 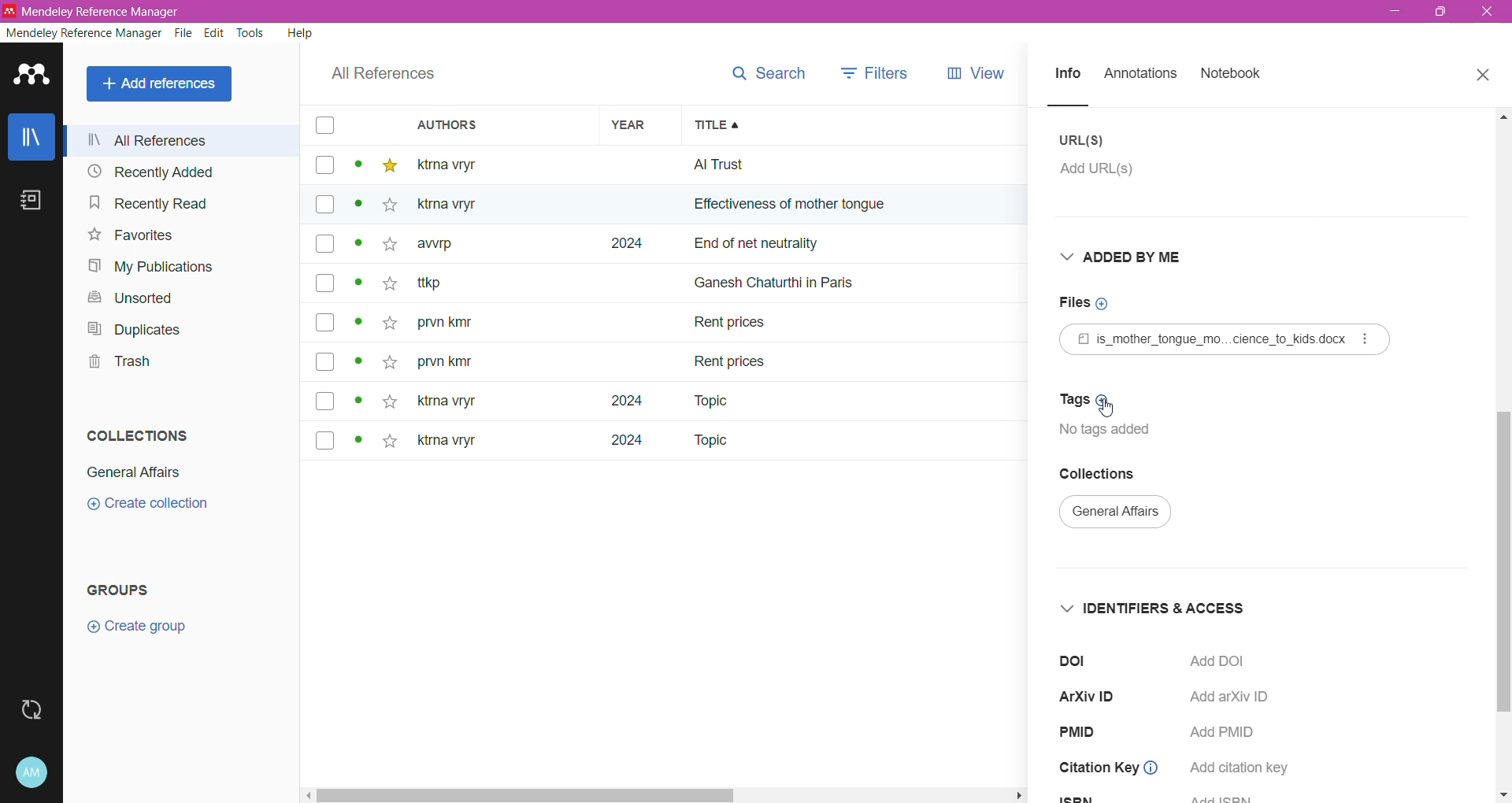 I want to click on Notebook, so click(x=31, y=200).